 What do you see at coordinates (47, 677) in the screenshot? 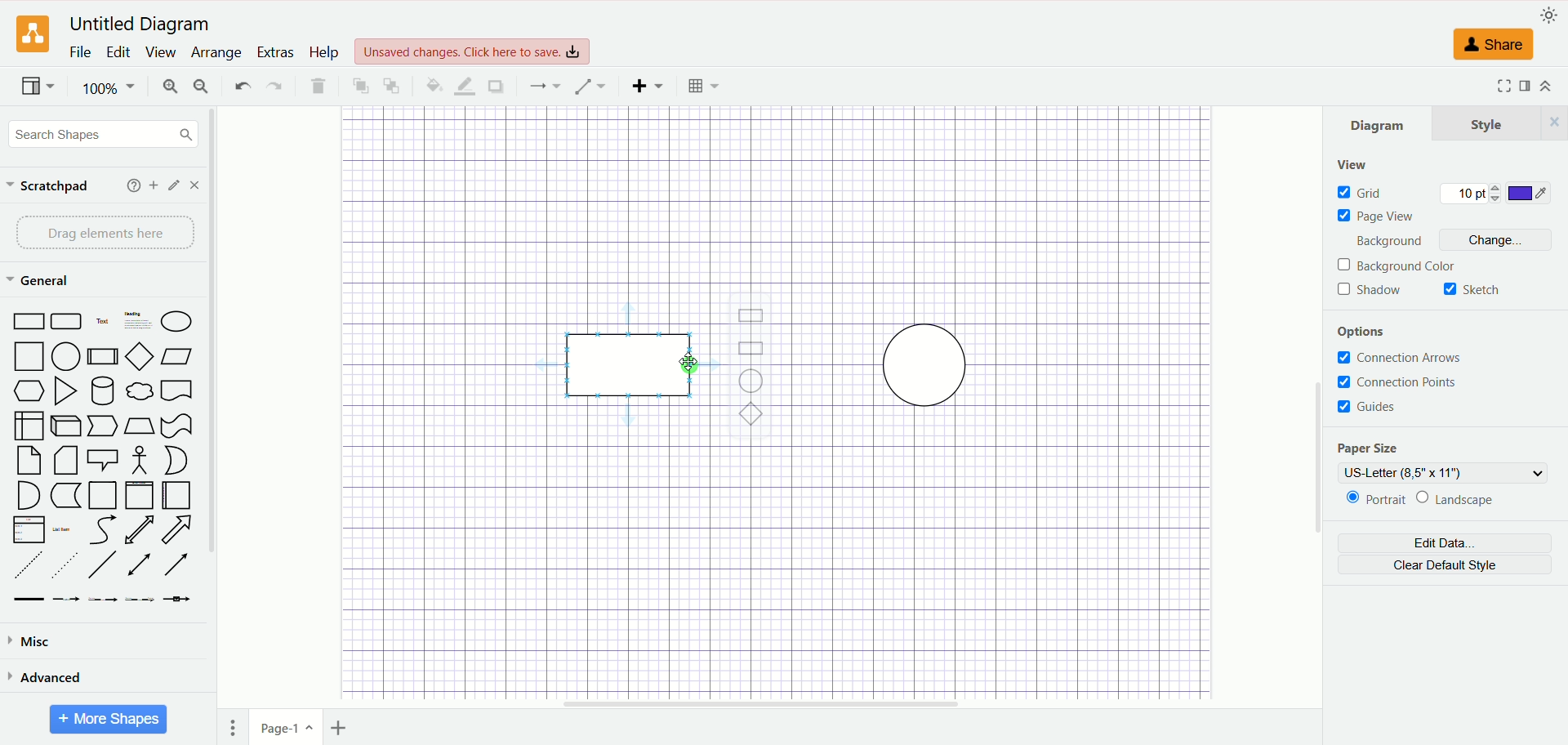
I see `advanced` at bounding box center [47, 677].